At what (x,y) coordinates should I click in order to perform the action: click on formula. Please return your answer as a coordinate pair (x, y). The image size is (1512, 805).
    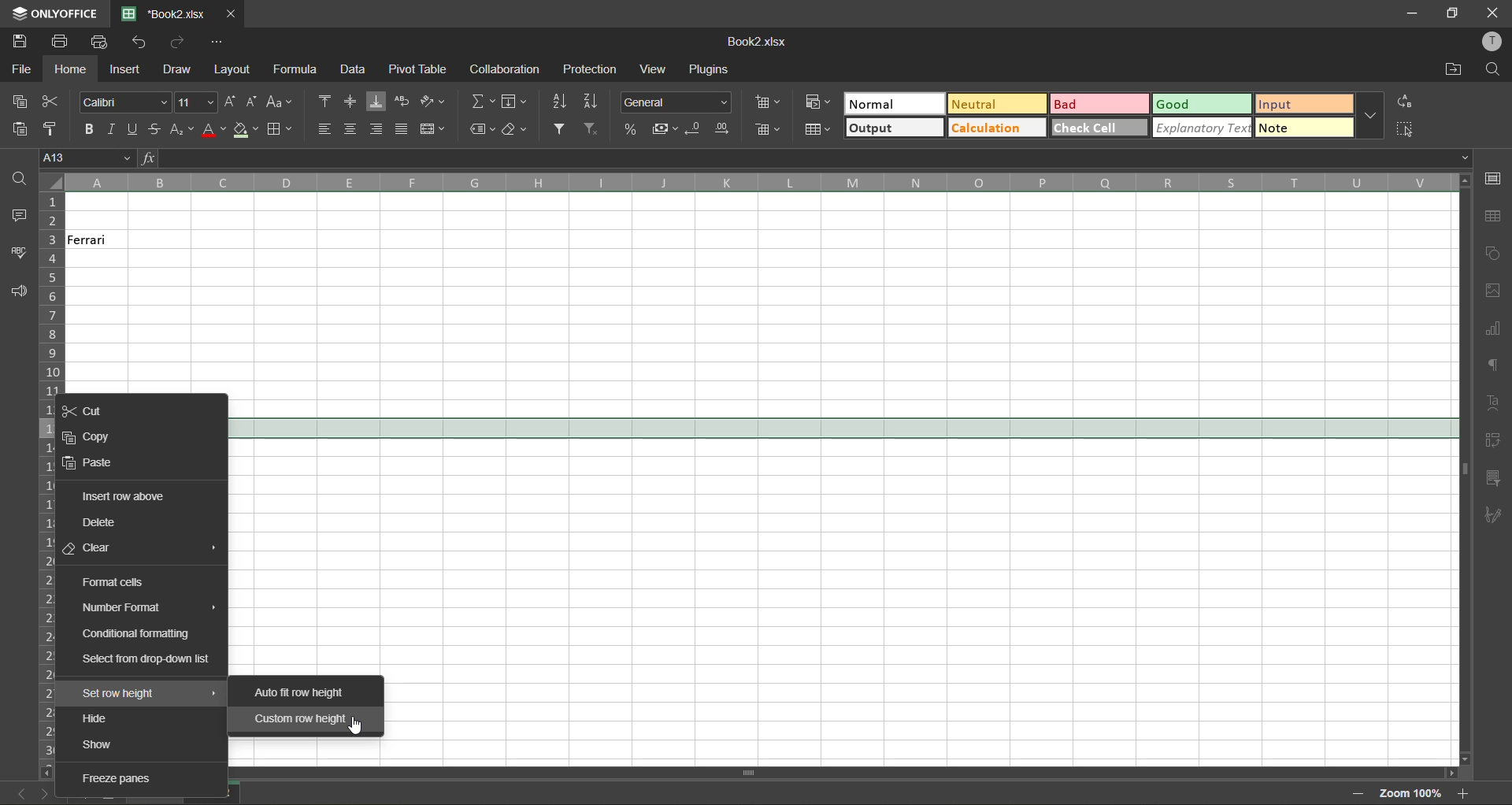
    Looking at the image, I should click on (297, 69).